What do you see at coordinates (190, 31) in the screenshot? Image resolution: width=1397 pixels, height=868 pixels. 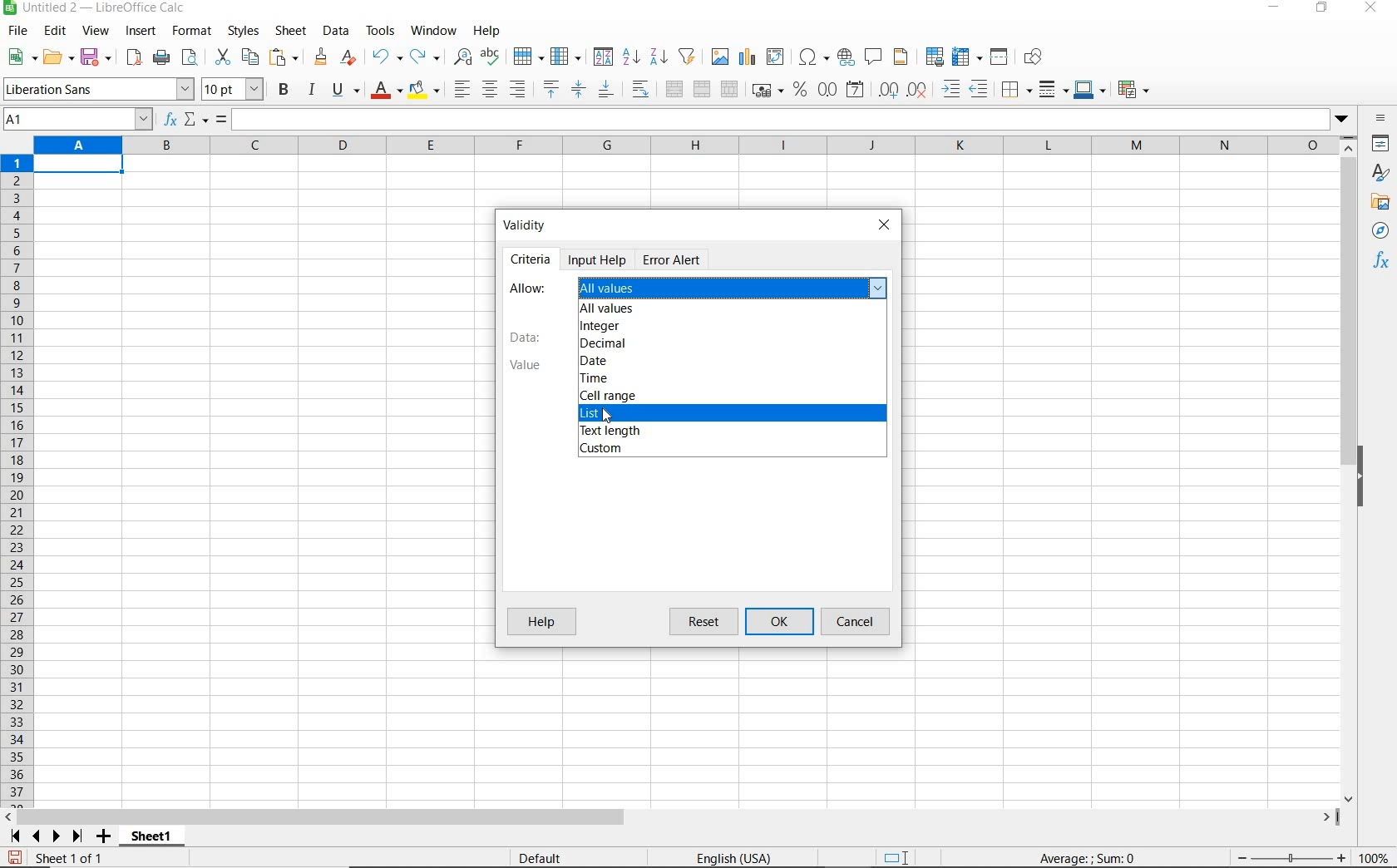 I see `format` at bounding box center [190, 31].